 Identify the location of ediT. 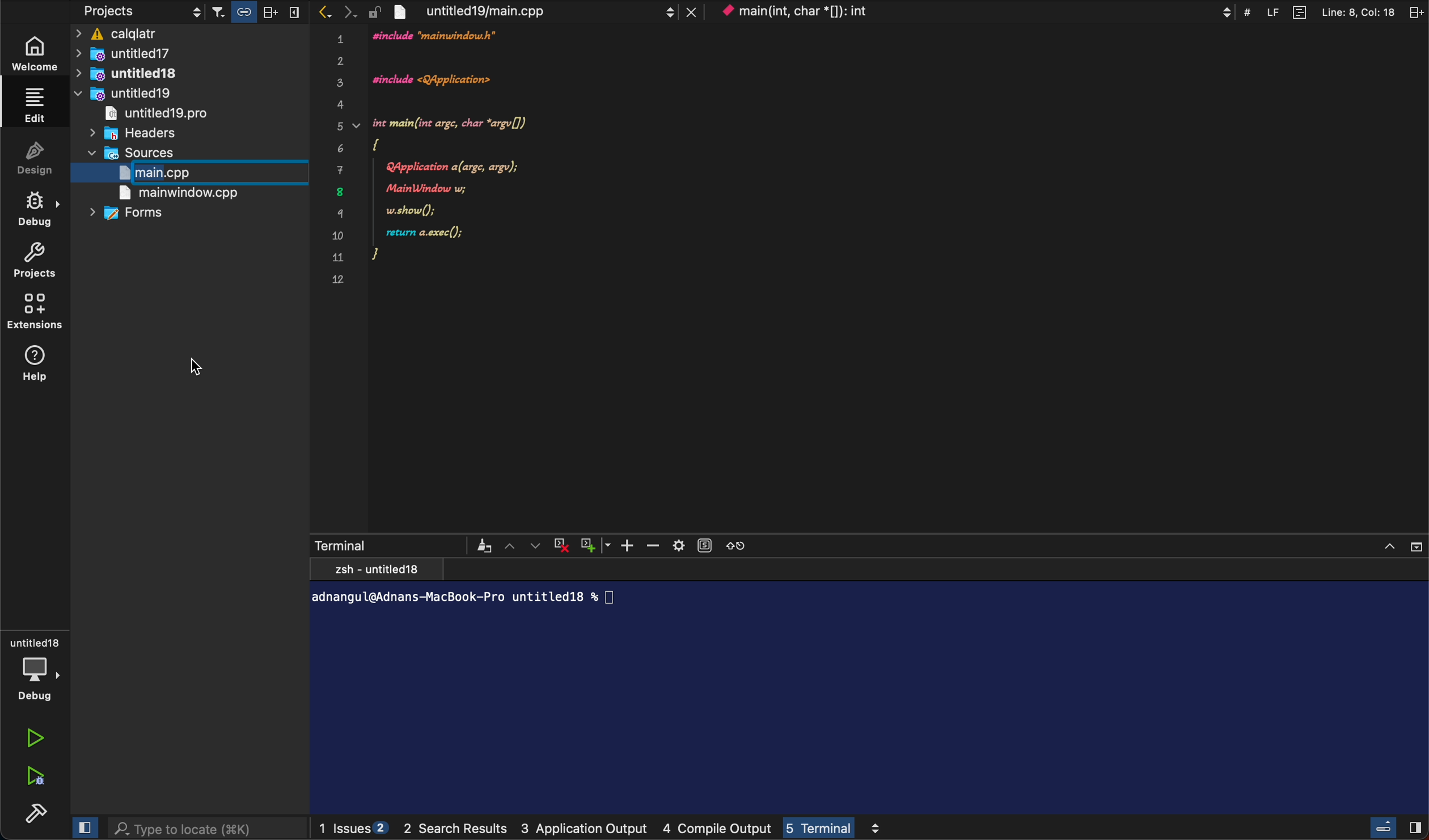
(36, 104).